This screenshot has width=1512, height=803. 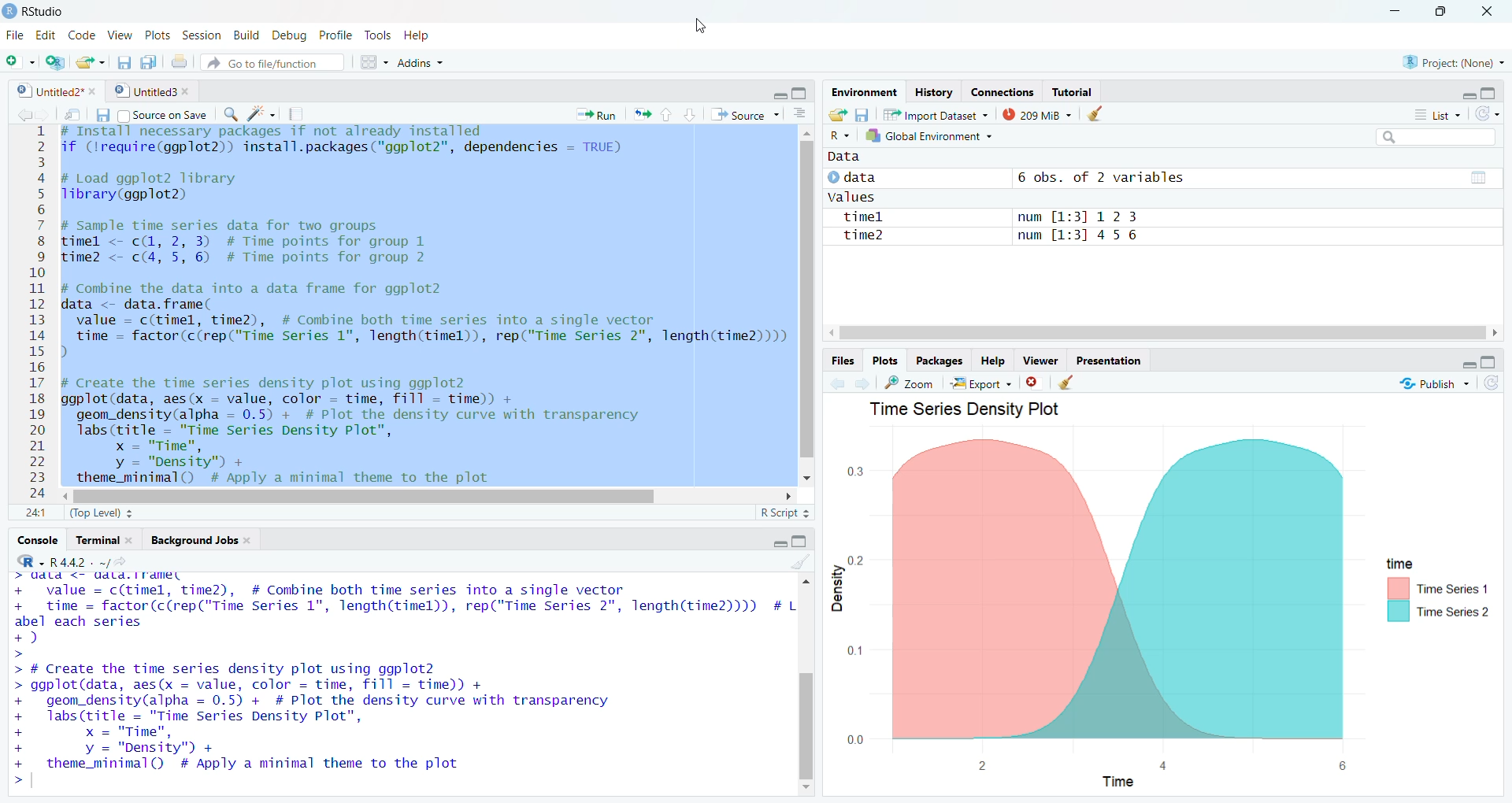 What do you see at coordinates (1007, 176) in the screenshot?
I see `data 6 obs. of 2 variables` at bounding box center [1007, 176].